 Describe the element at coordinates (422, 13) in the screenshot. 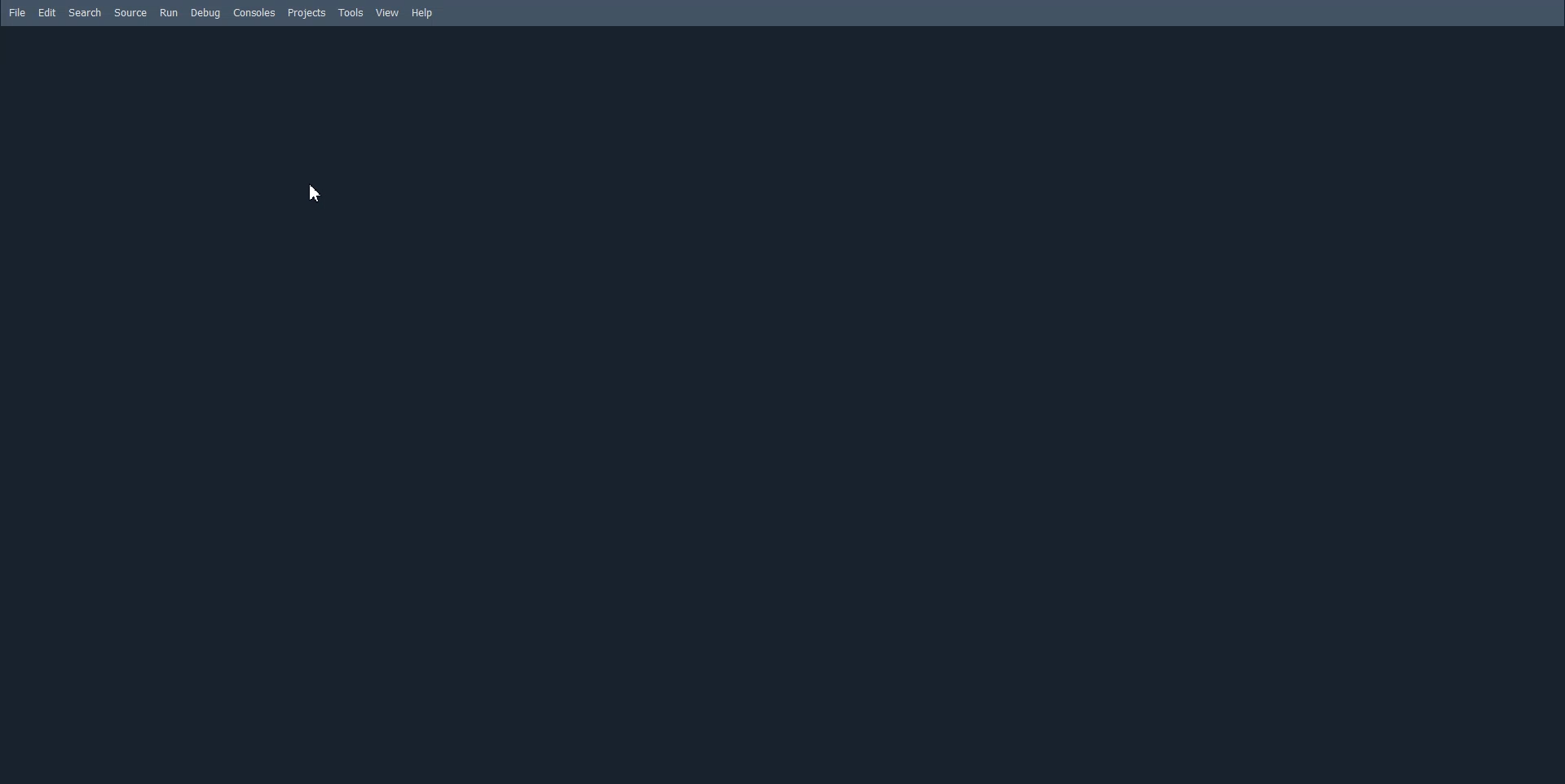

I see `Help` at that location.